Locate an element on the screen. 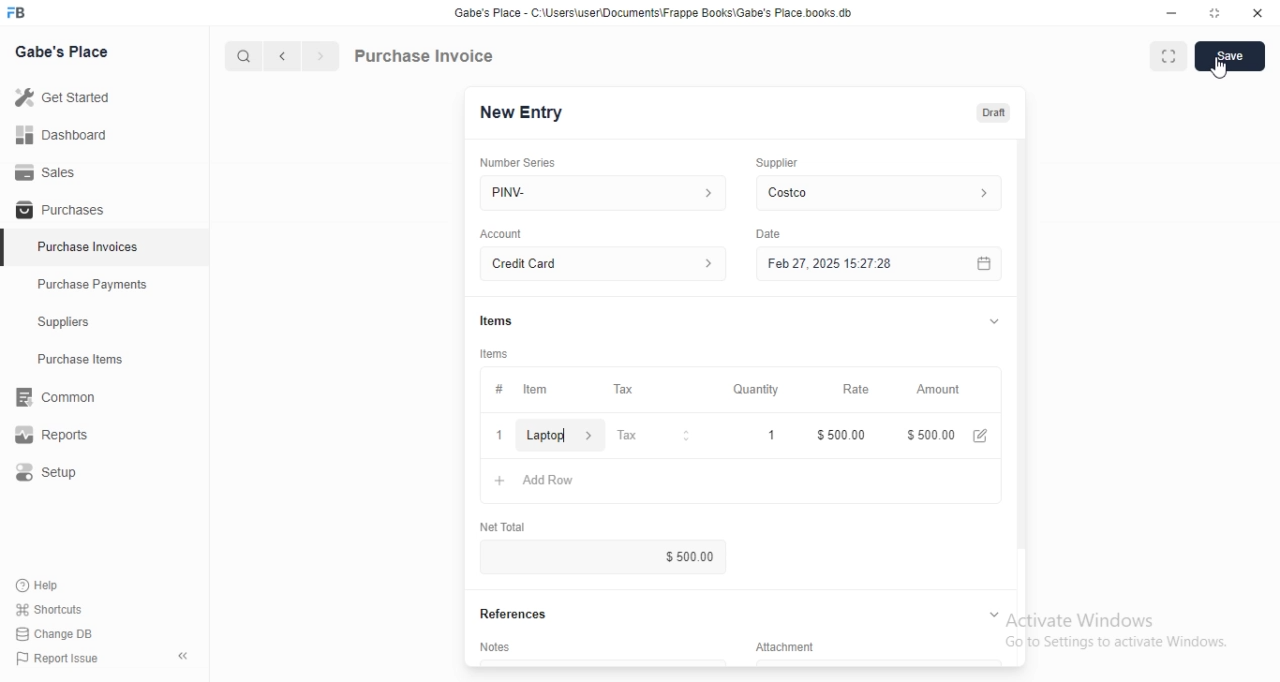 This screenshot has height=682, width=1280. References is located at coordinates (513, 614).